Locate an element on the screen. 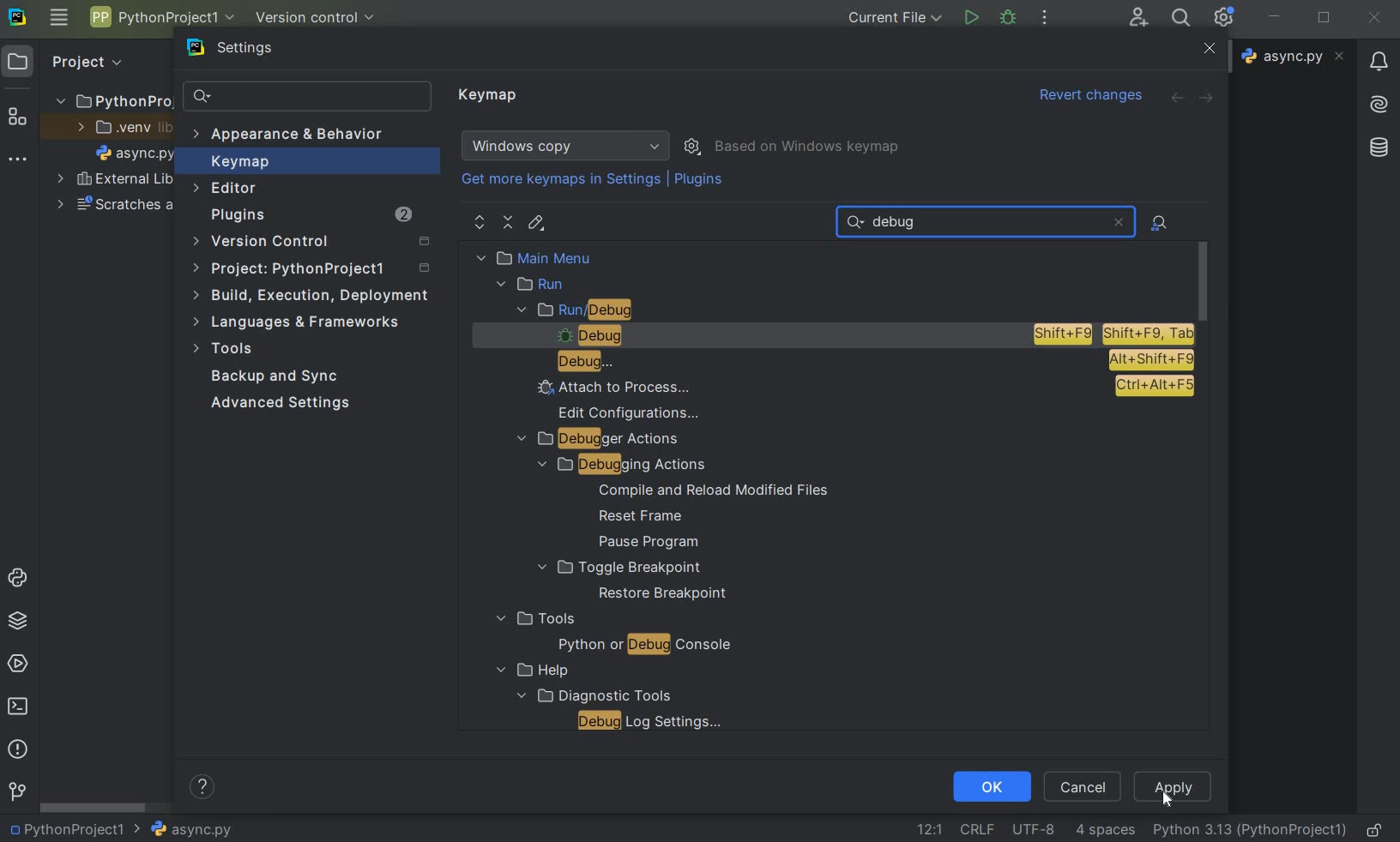 This screenshot has width=1400, height=842. Notifications is located at coordinates (1377, 56).